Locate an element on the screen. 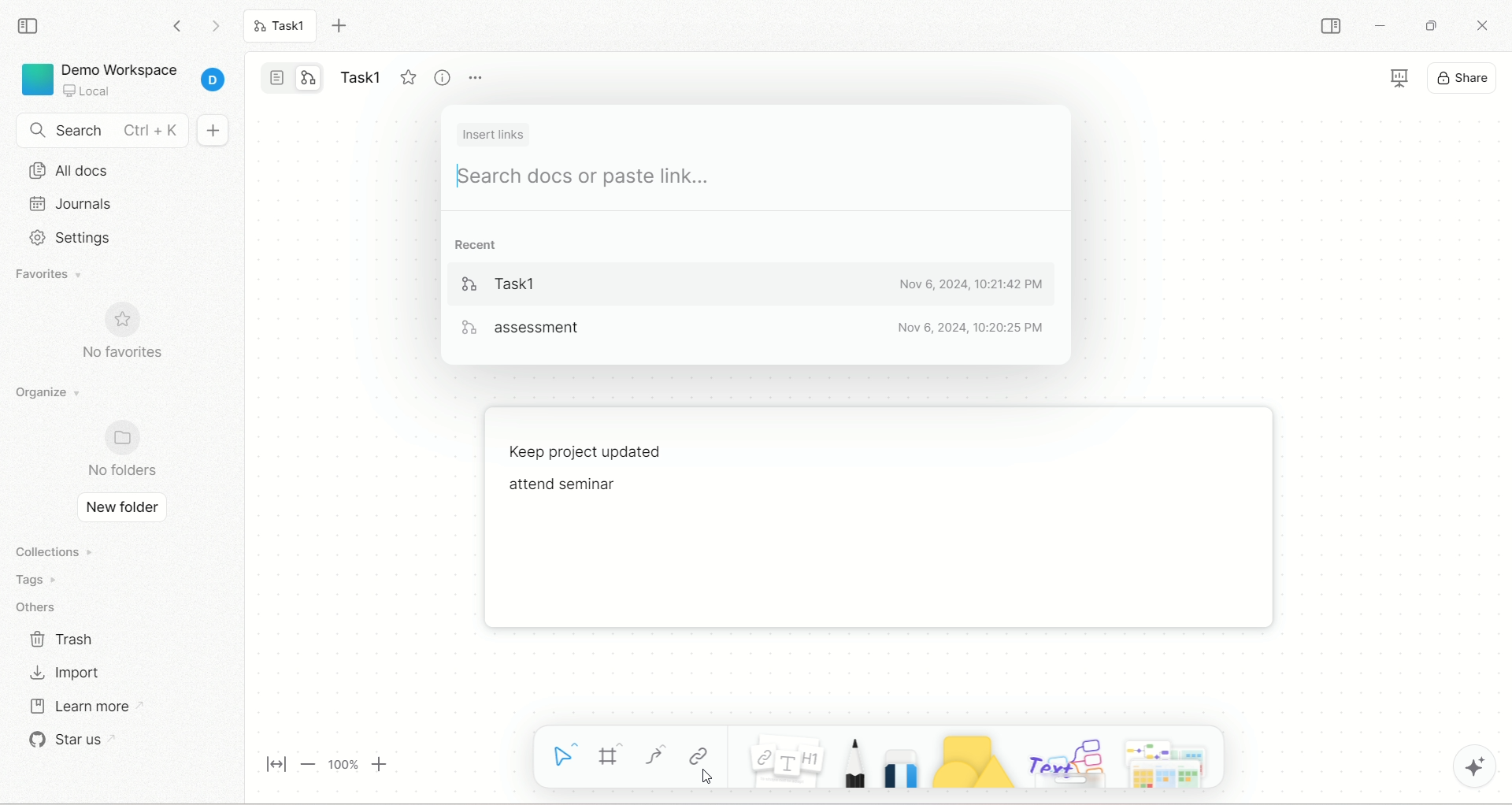  star us is located at coordinates (82, 744).